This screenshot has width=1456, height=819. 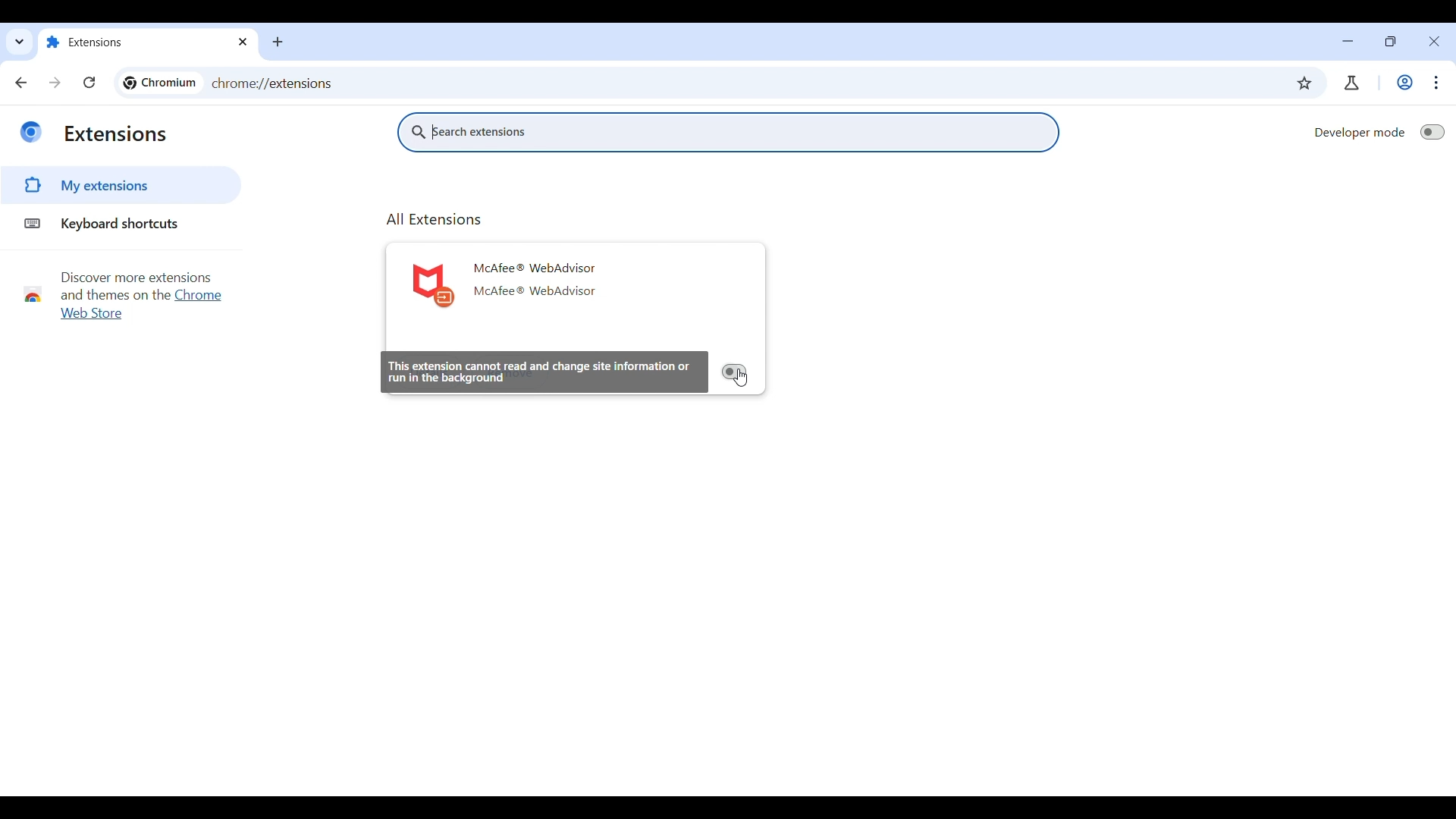 I want to click on Cursor clicking on Toggle on, so click(x=741, y=378).